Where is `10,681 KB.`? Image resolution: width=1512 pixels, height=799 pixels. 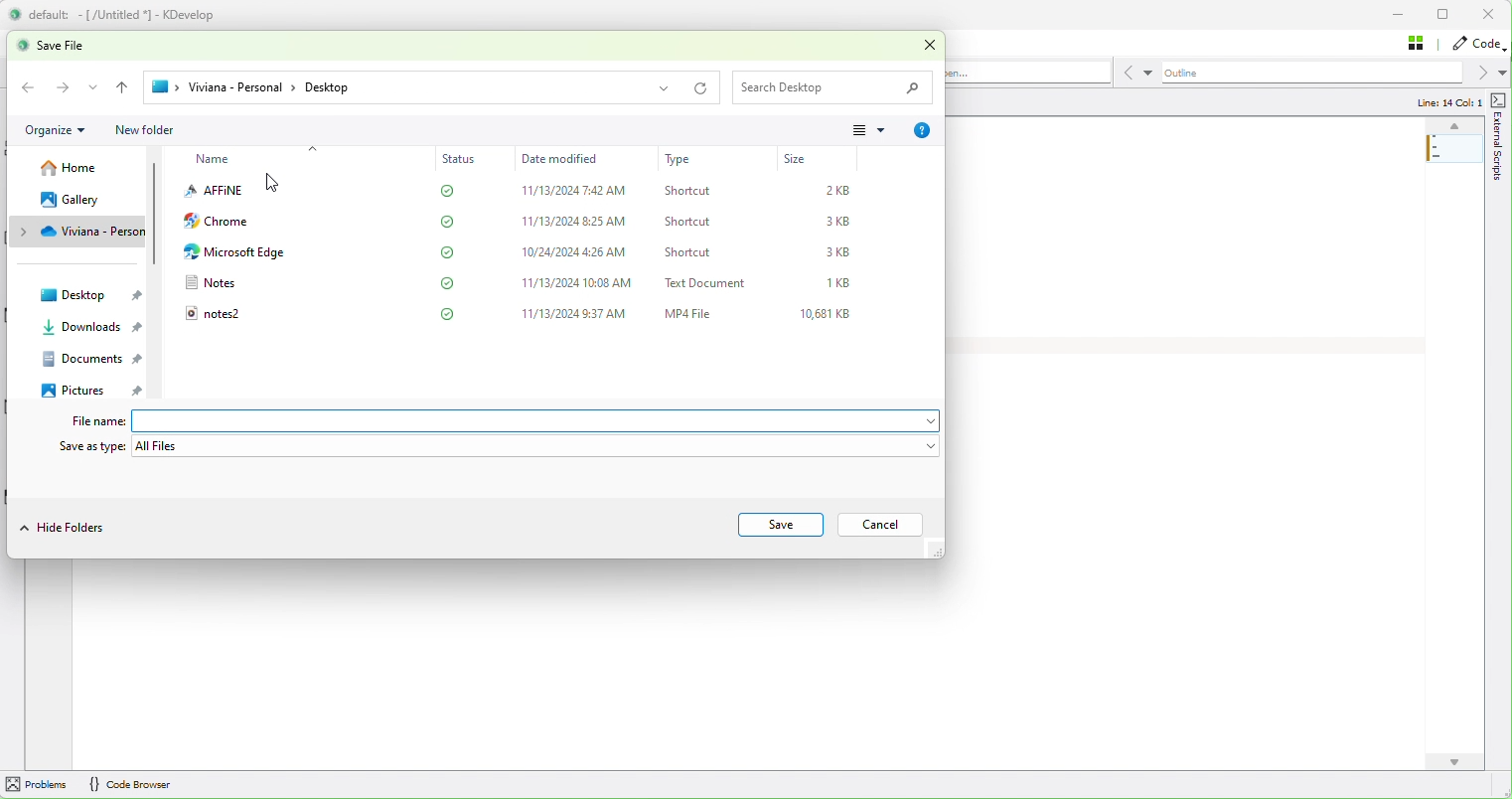 10,681 KB. is located at coordinates (830, 315).